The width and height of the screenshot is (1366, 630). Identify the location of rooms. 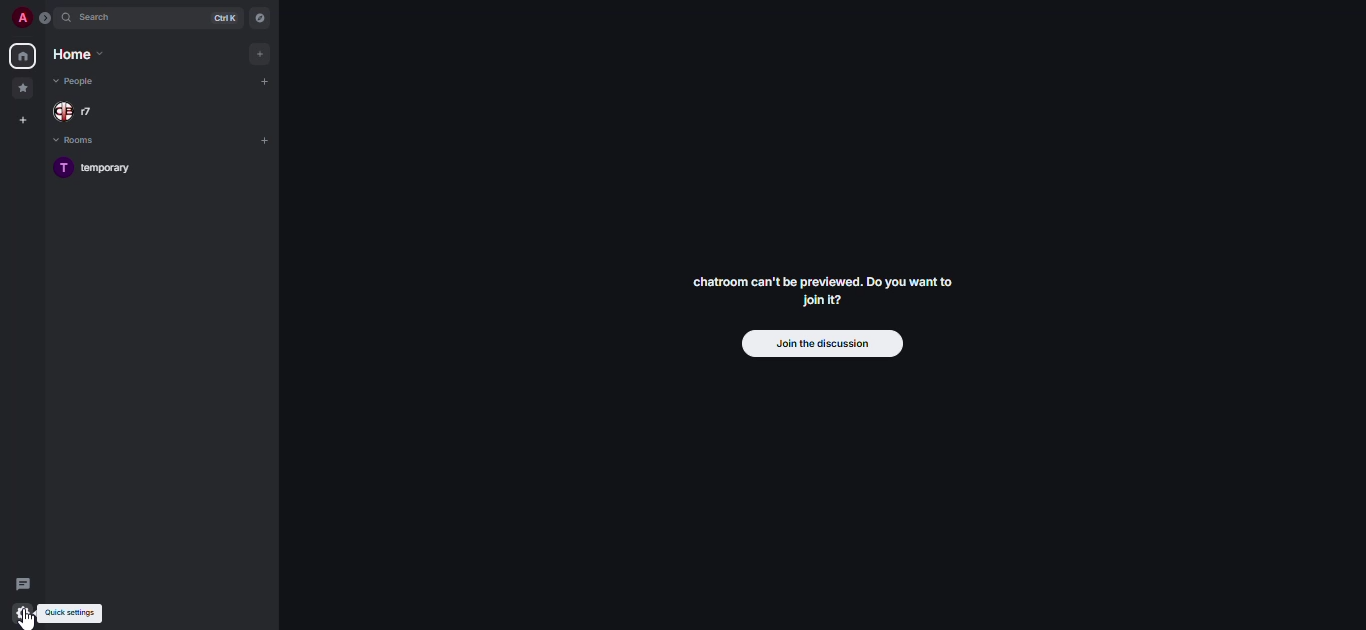
(72, 142).